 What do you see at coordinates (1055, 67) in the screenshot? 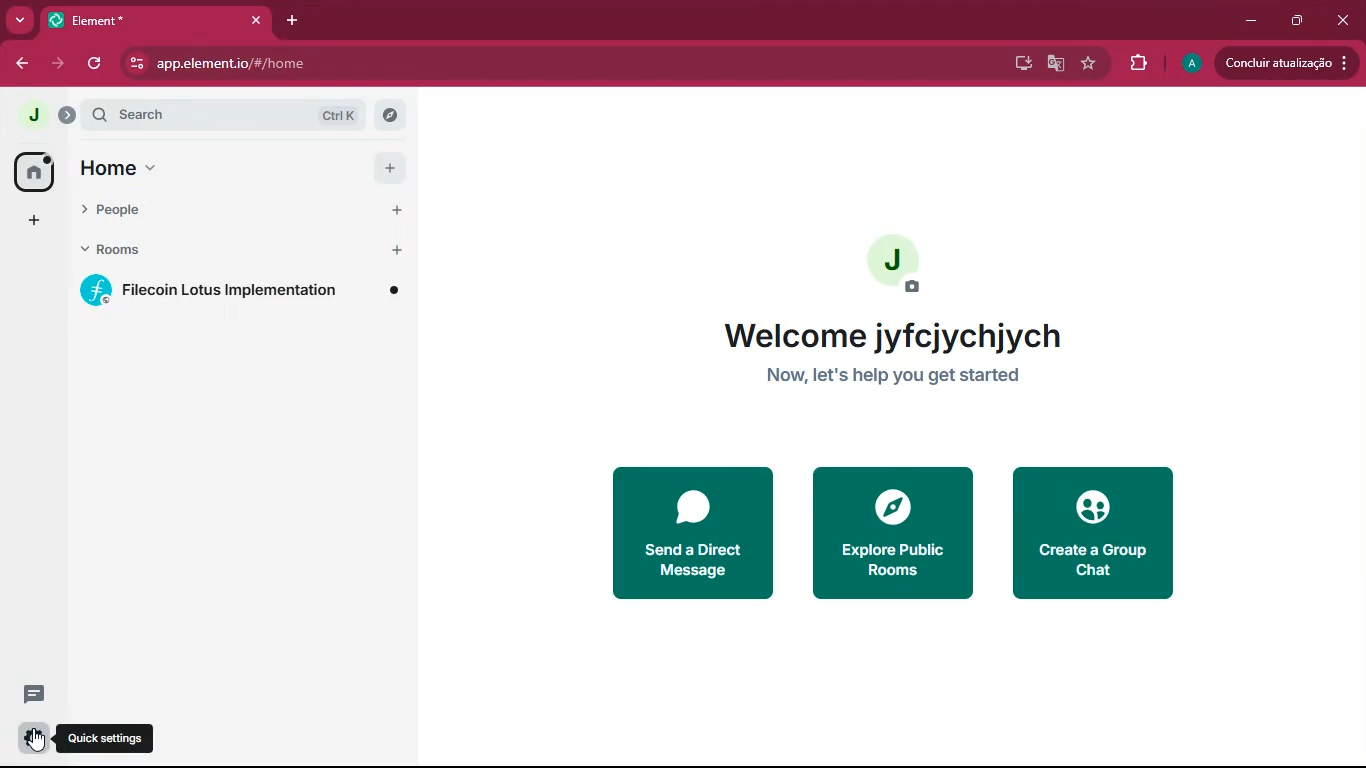
I see `google translate` at bounding box center [1055, 67].